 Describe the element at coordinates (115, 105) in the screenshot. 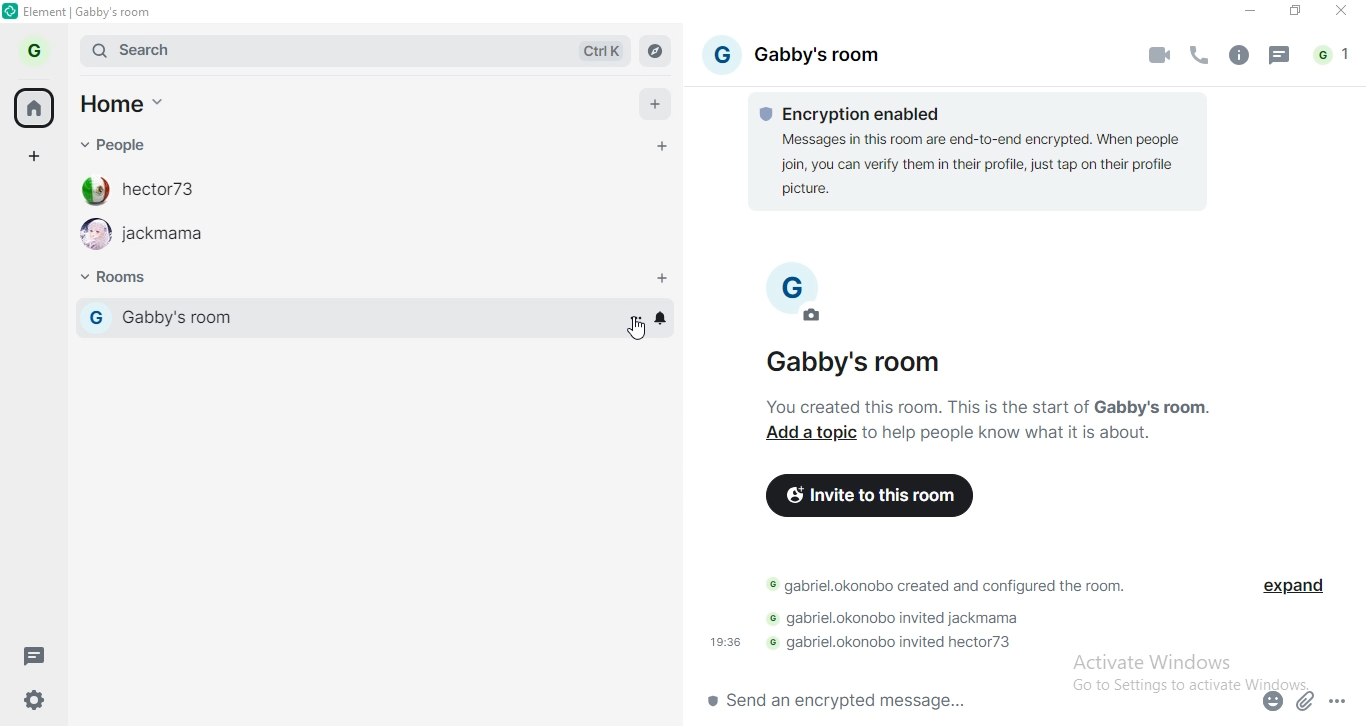

I see `home` at that location.